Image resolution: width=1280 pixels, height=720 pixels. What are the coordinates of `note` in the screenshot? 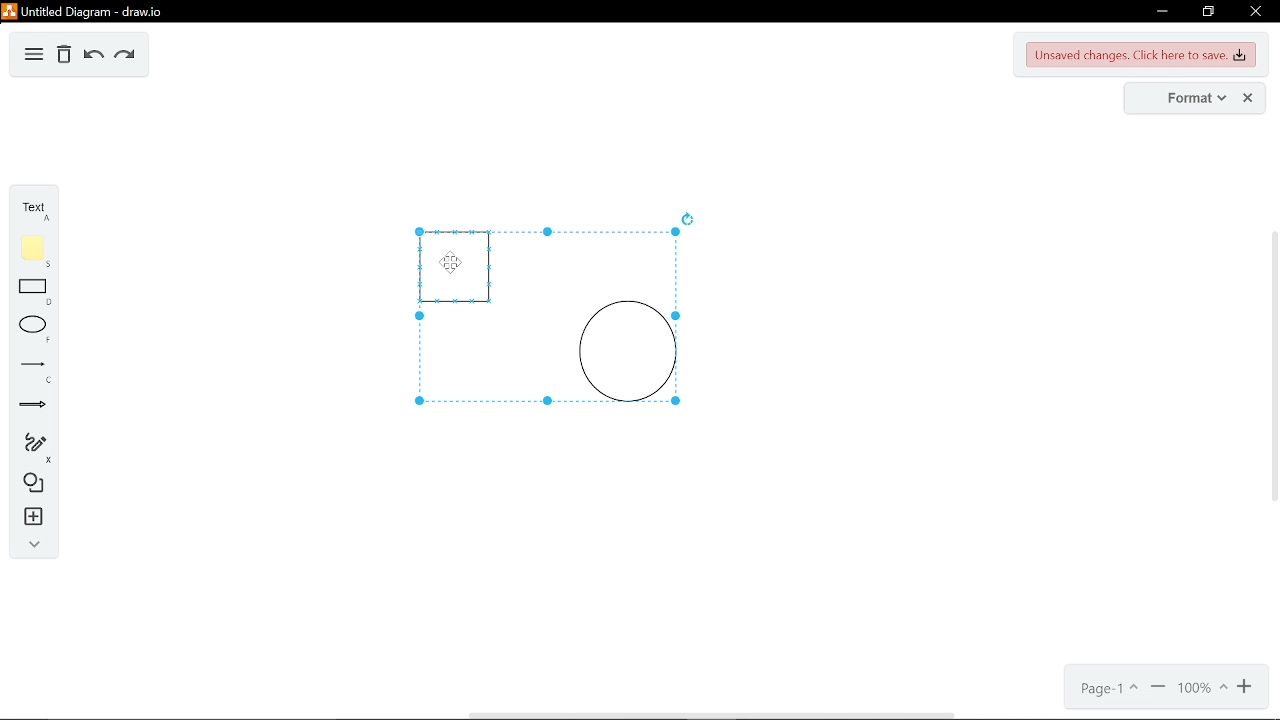 It's located at (33, 250).